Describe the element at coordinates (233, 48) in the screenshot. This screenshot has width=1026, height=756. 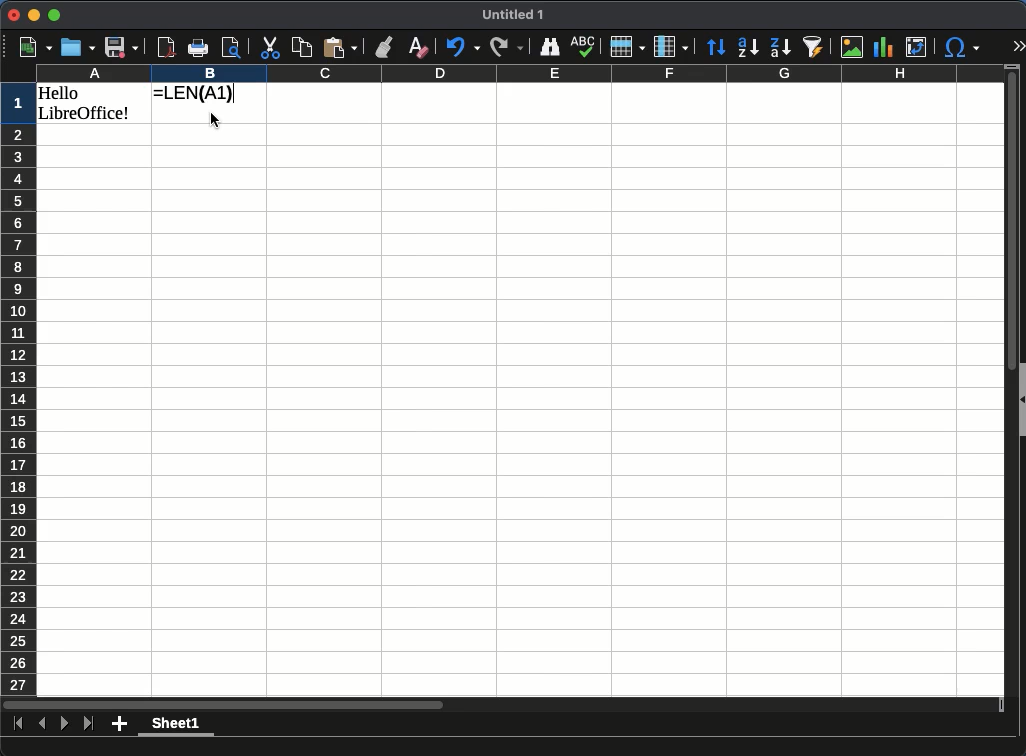
I see `page preview` at that location.